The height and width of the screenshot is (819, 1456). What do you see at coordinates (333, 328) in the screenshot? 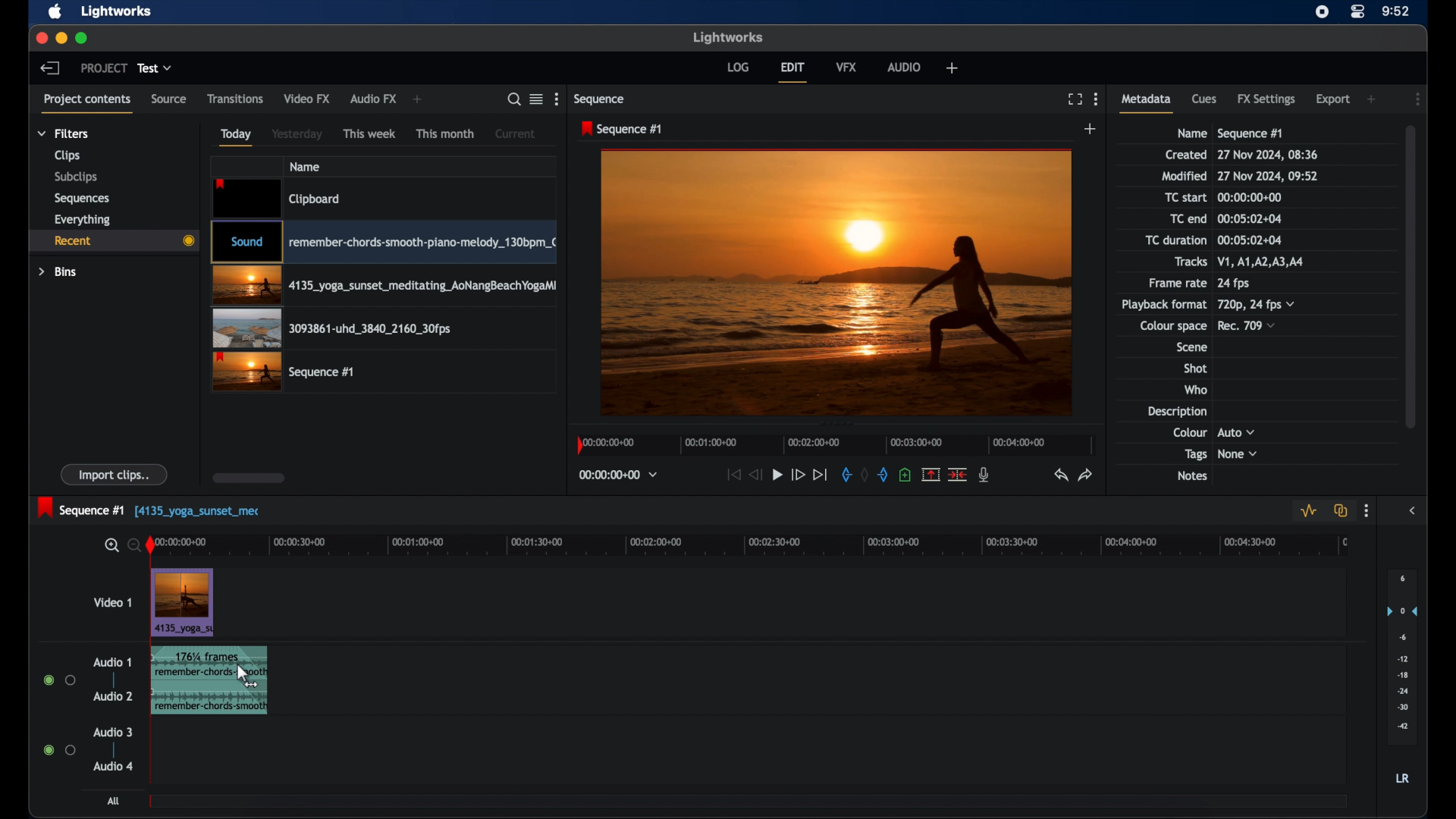
I see `video clip` at bounding box center [333, 328].